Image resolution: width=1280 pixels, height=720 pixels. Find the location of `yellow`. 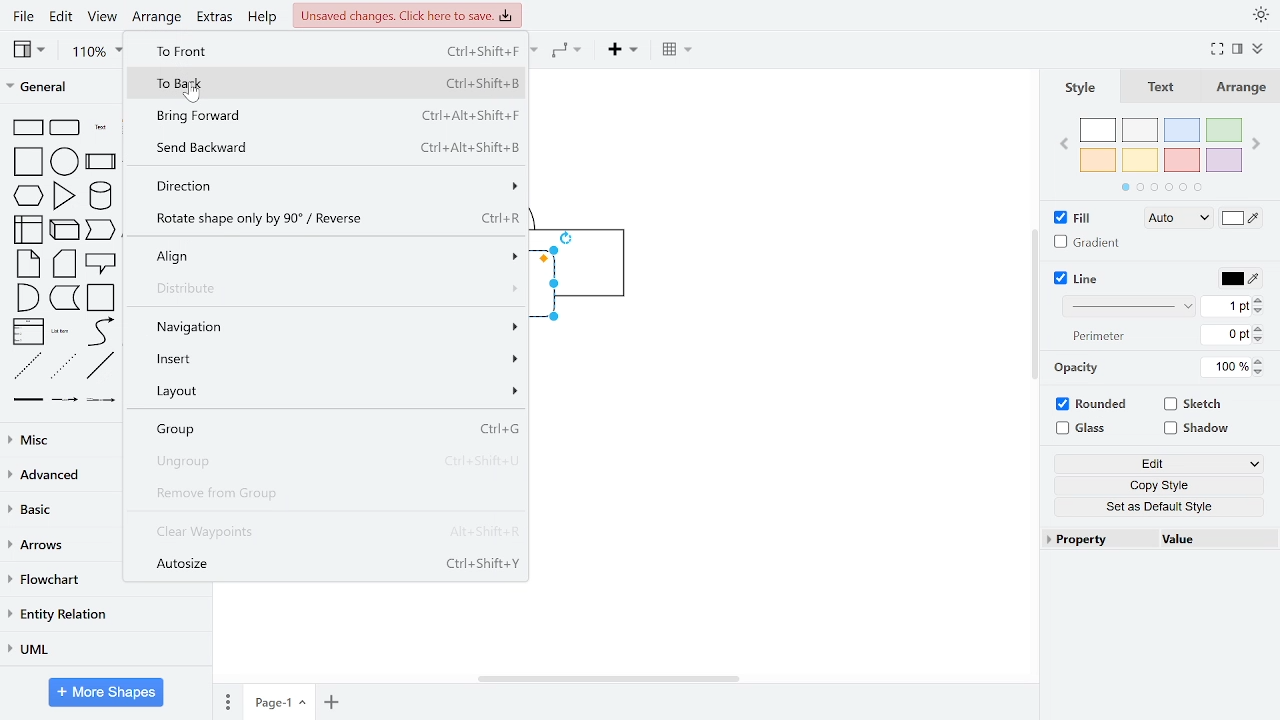

yellow is located at coordinates (1141, 159).